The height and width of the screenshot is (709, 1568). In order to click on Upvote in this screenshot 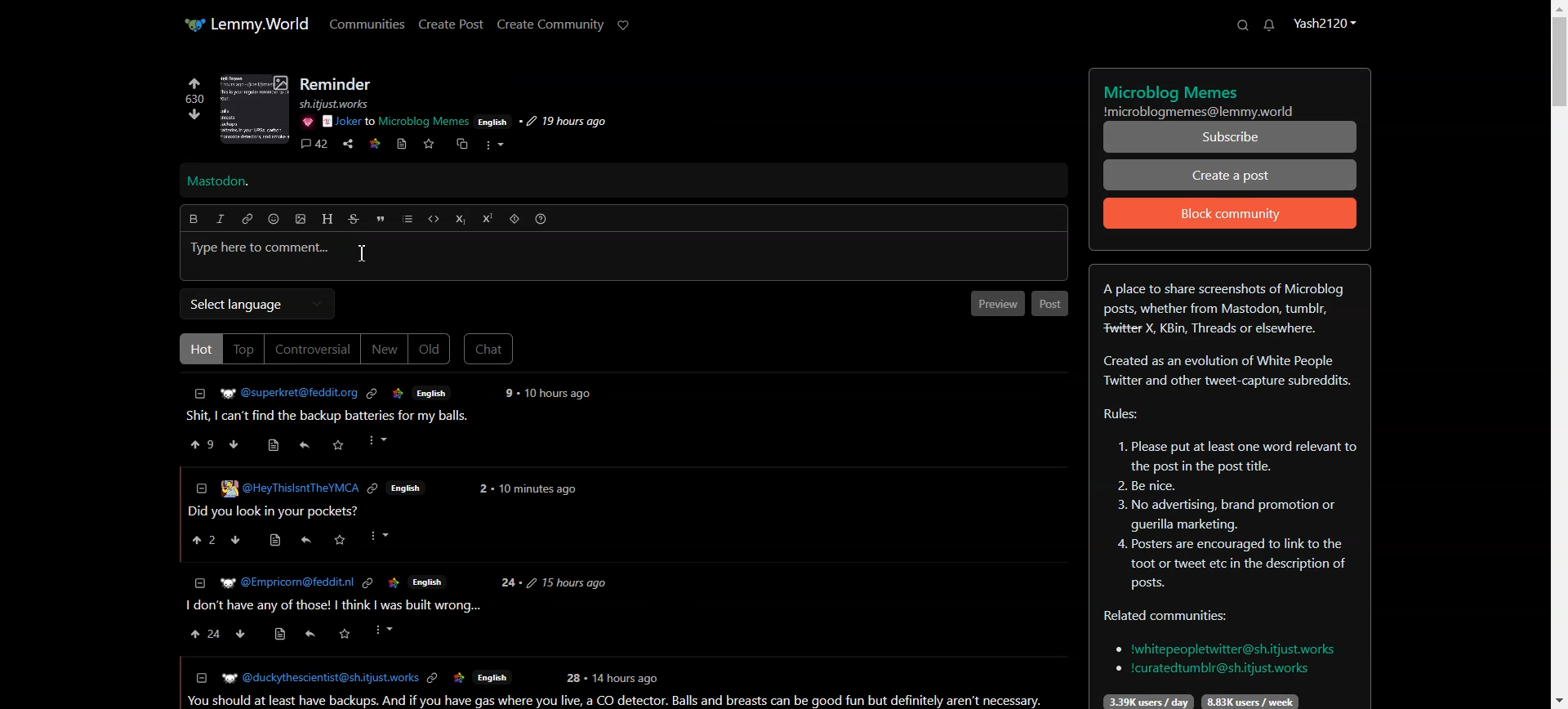, I will do `click(194, 89)`.